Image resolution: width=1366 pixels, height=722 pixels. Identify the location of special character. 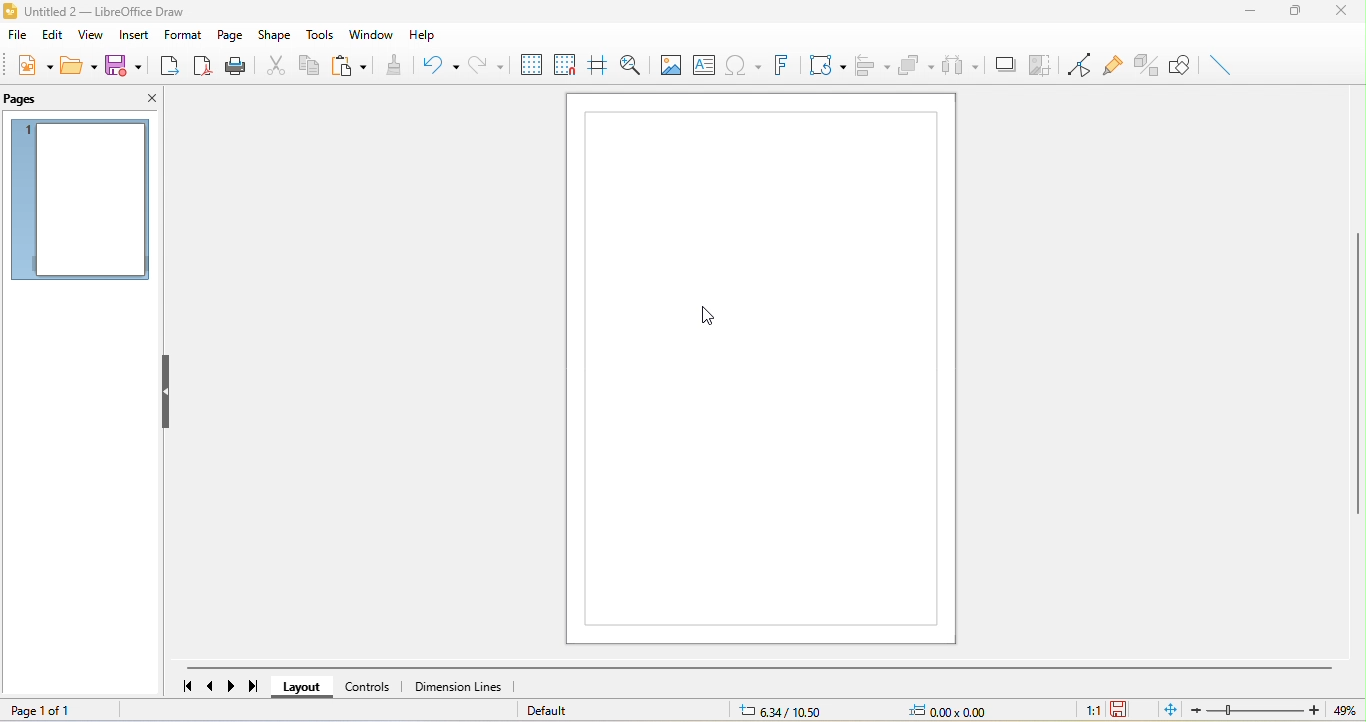
(746, 66).